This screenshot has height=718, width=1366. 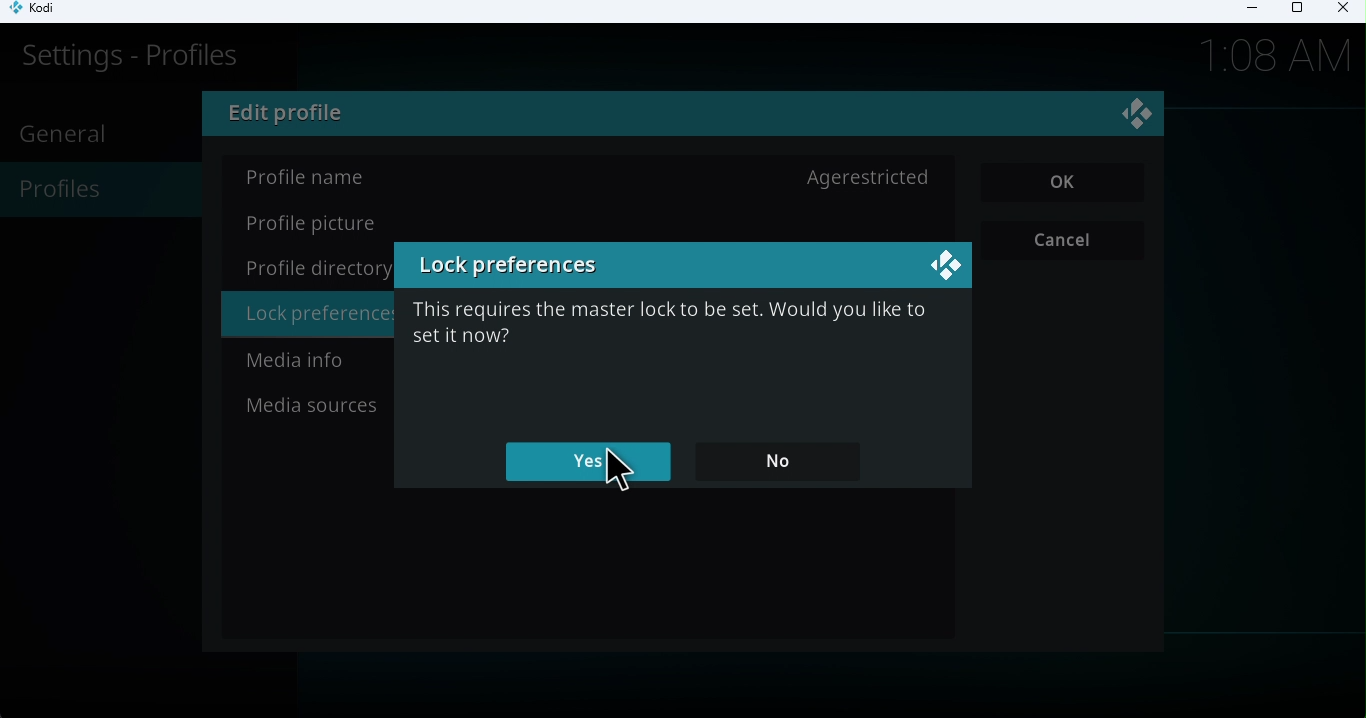 What do you see at coordinates (590, 177) in the screenshot?
I see `Profile name` at bounding box center [590, 177].